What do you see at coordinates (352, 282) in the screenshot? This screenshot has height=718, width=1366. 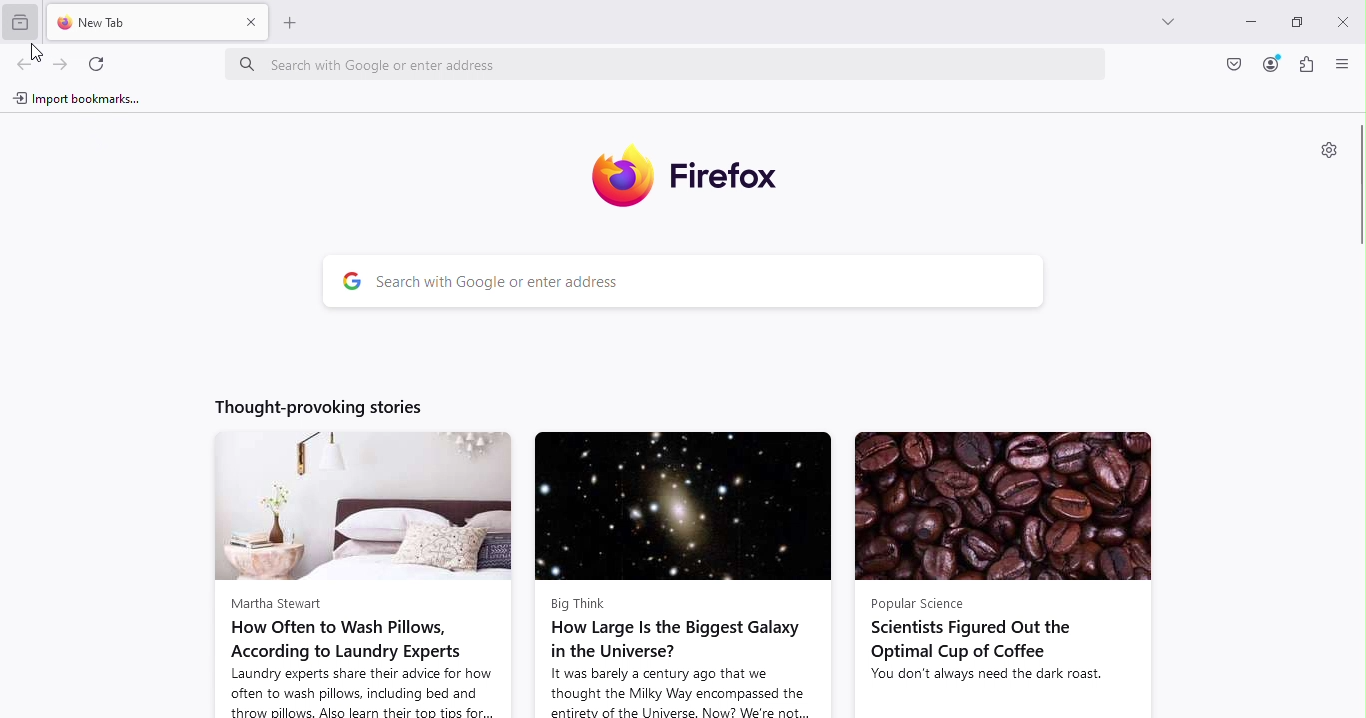 I see `google logo` at bounding box center [352, 282].